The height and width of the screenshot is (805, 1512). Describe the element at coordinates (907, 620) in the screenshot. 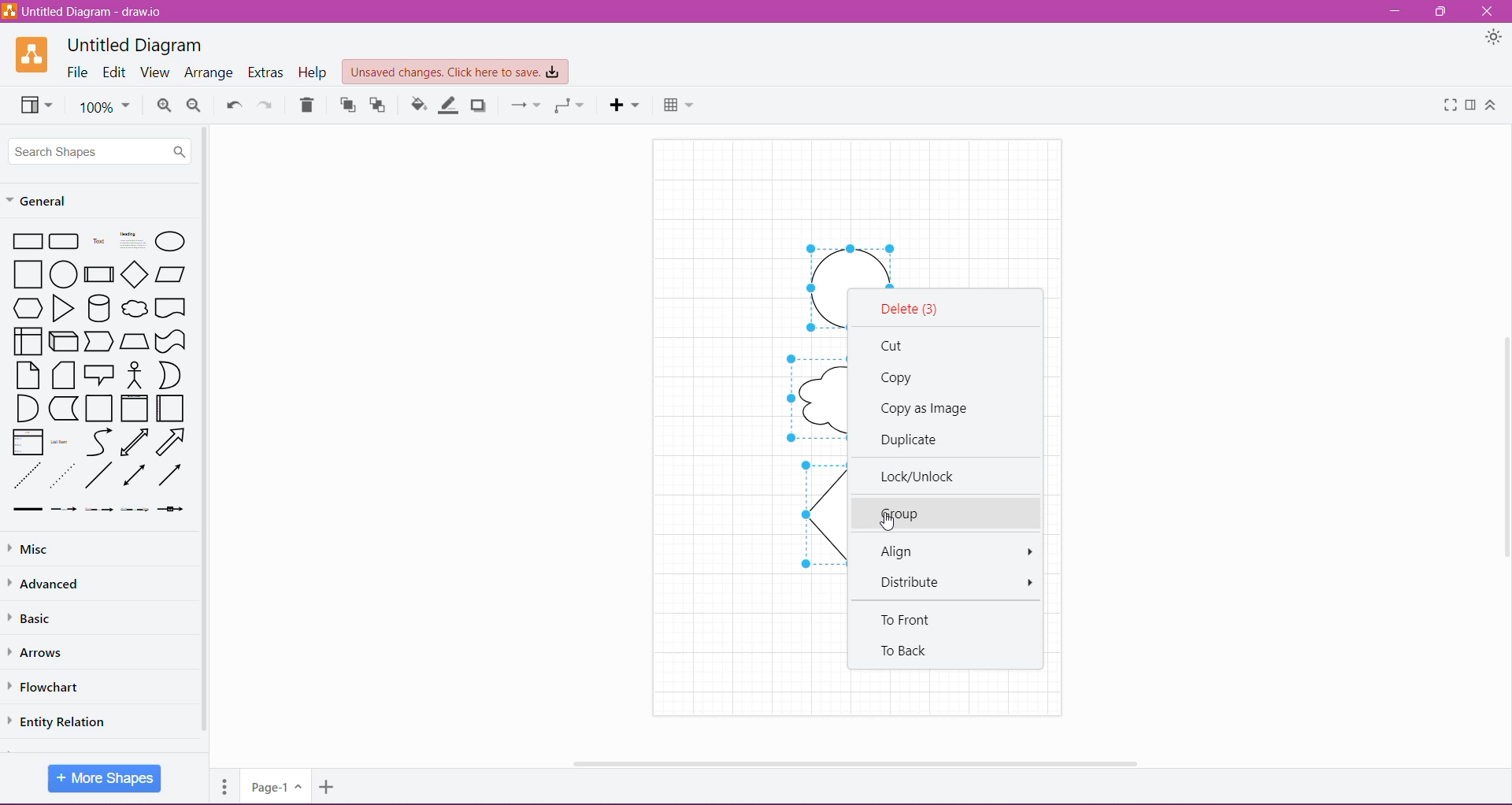

I see `To Front` at that location.